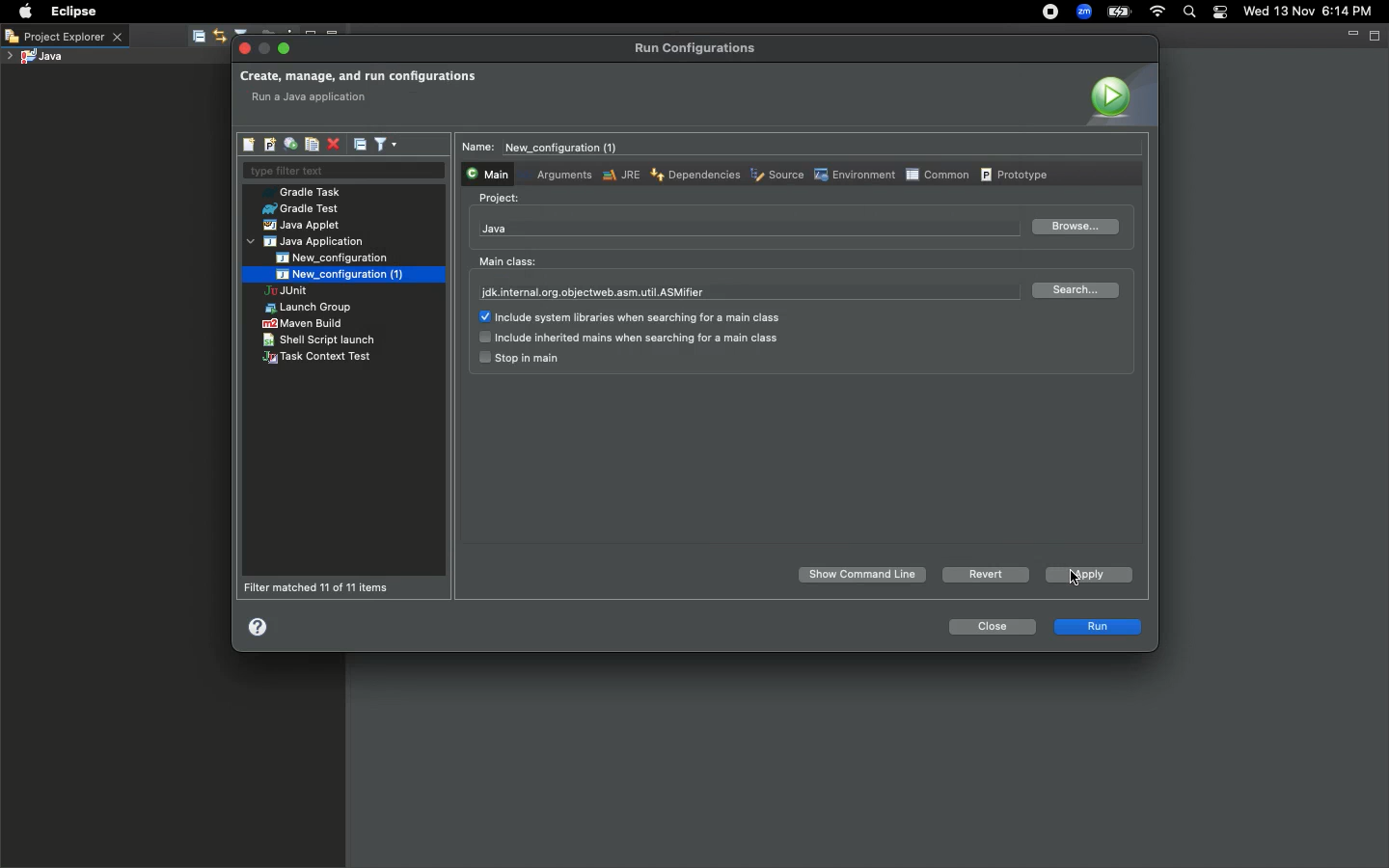 This screenshot has width=1389, height=868. I want to click on Maven build, so click(302, 323).